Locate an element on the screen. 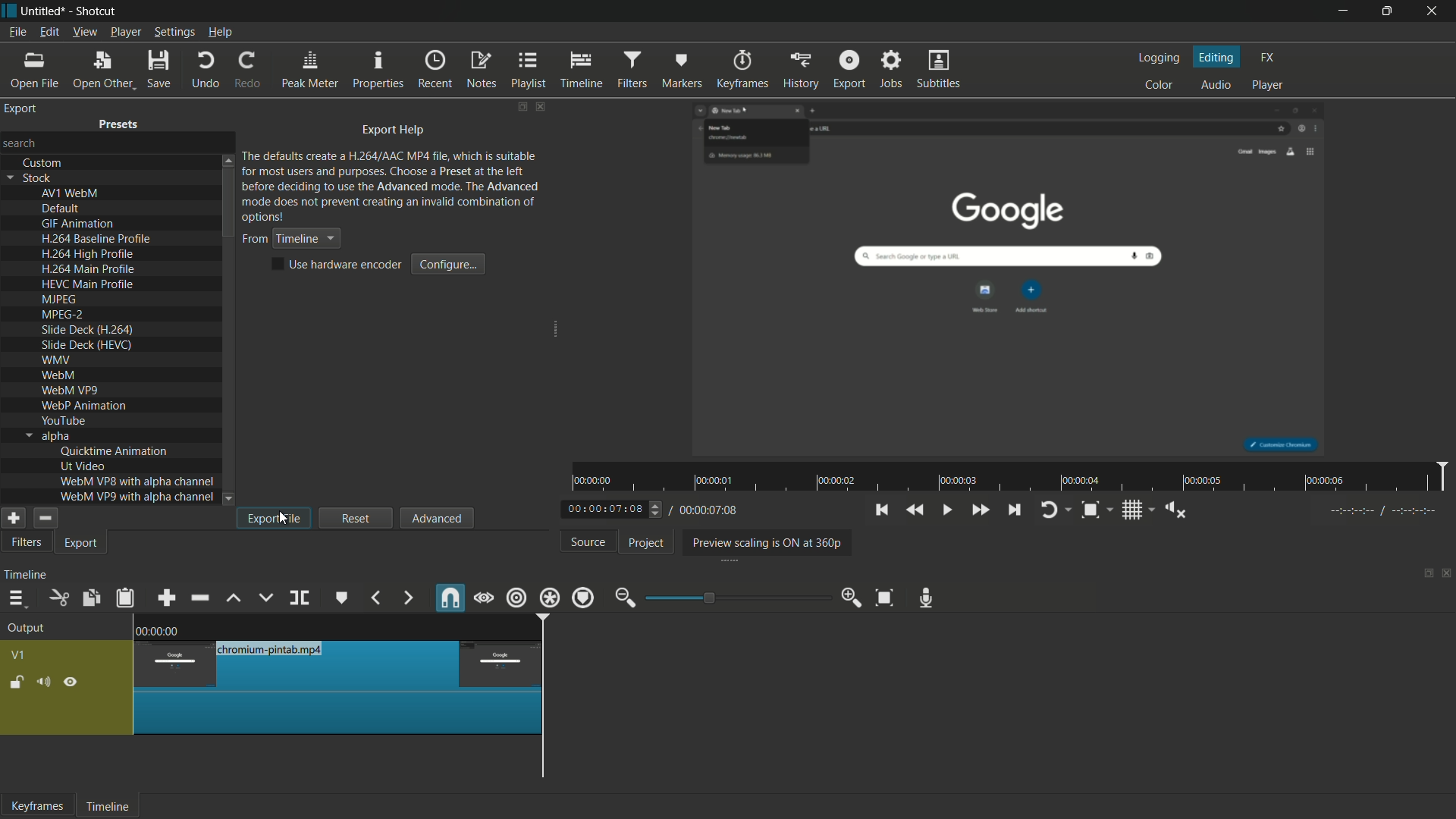 This screenshot has height=819, width=1456. webm vp9 with alpha channel is located at coordinates (133, 497).